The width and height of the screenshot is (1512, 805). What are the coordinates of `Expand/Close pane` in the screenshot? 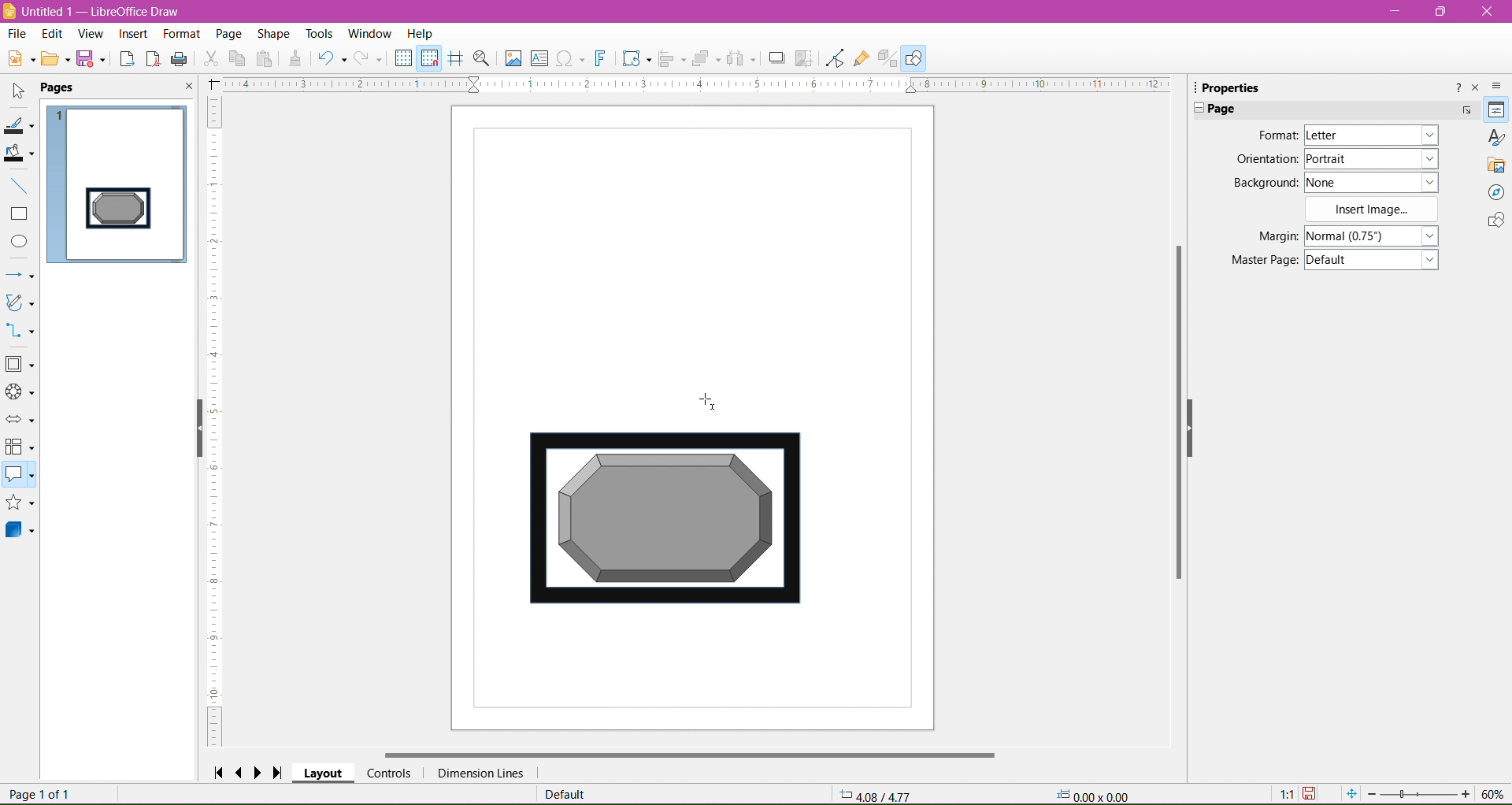 It's located at (1195, 109).